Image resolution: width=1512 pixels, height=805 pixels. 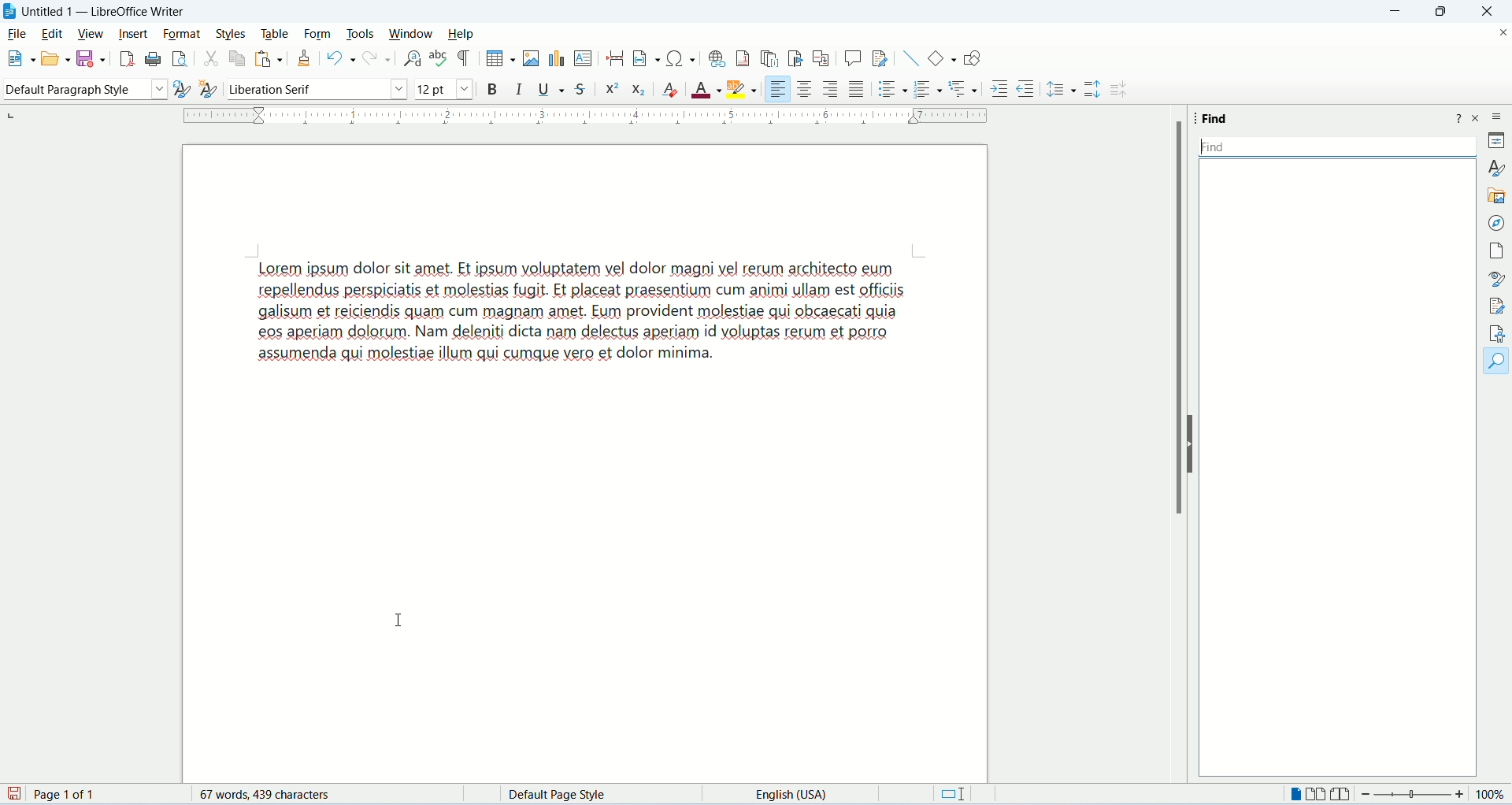 I want to click on form, so click(x=319, y=34).